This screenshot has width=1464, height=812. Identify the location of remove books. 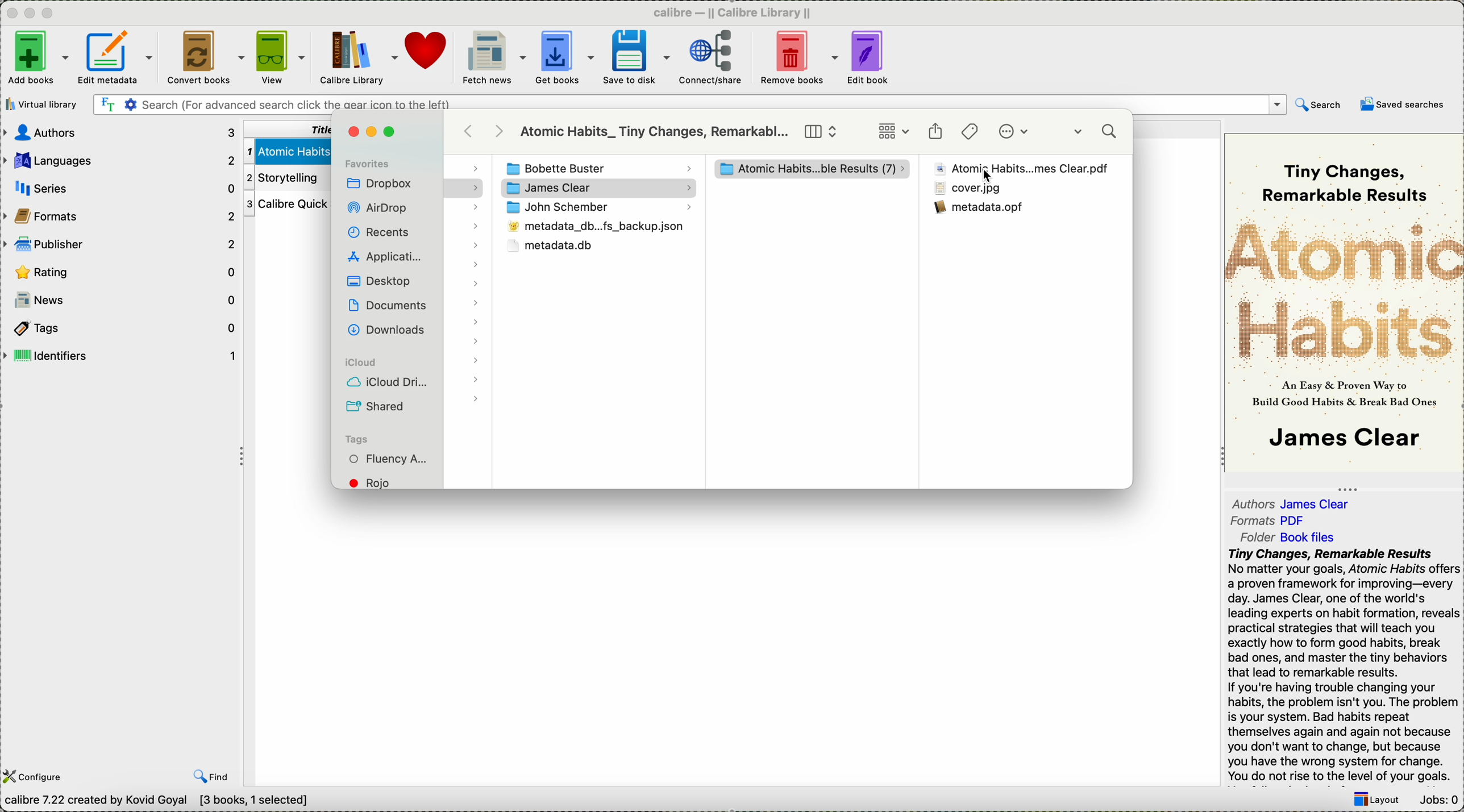
(798, 59).